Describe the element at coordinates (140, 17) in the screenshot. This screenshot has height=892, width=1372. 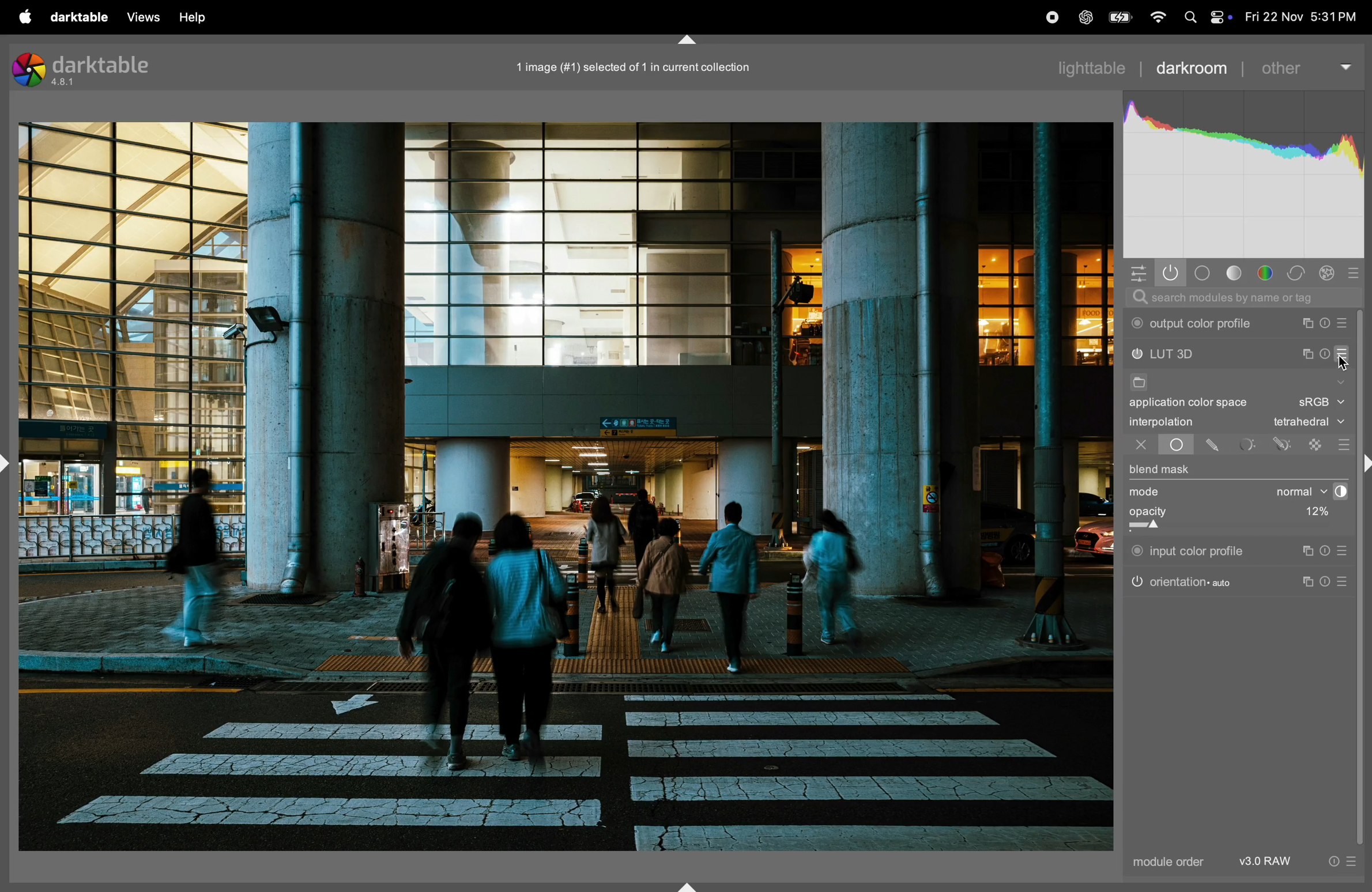
I see `views` at that location.